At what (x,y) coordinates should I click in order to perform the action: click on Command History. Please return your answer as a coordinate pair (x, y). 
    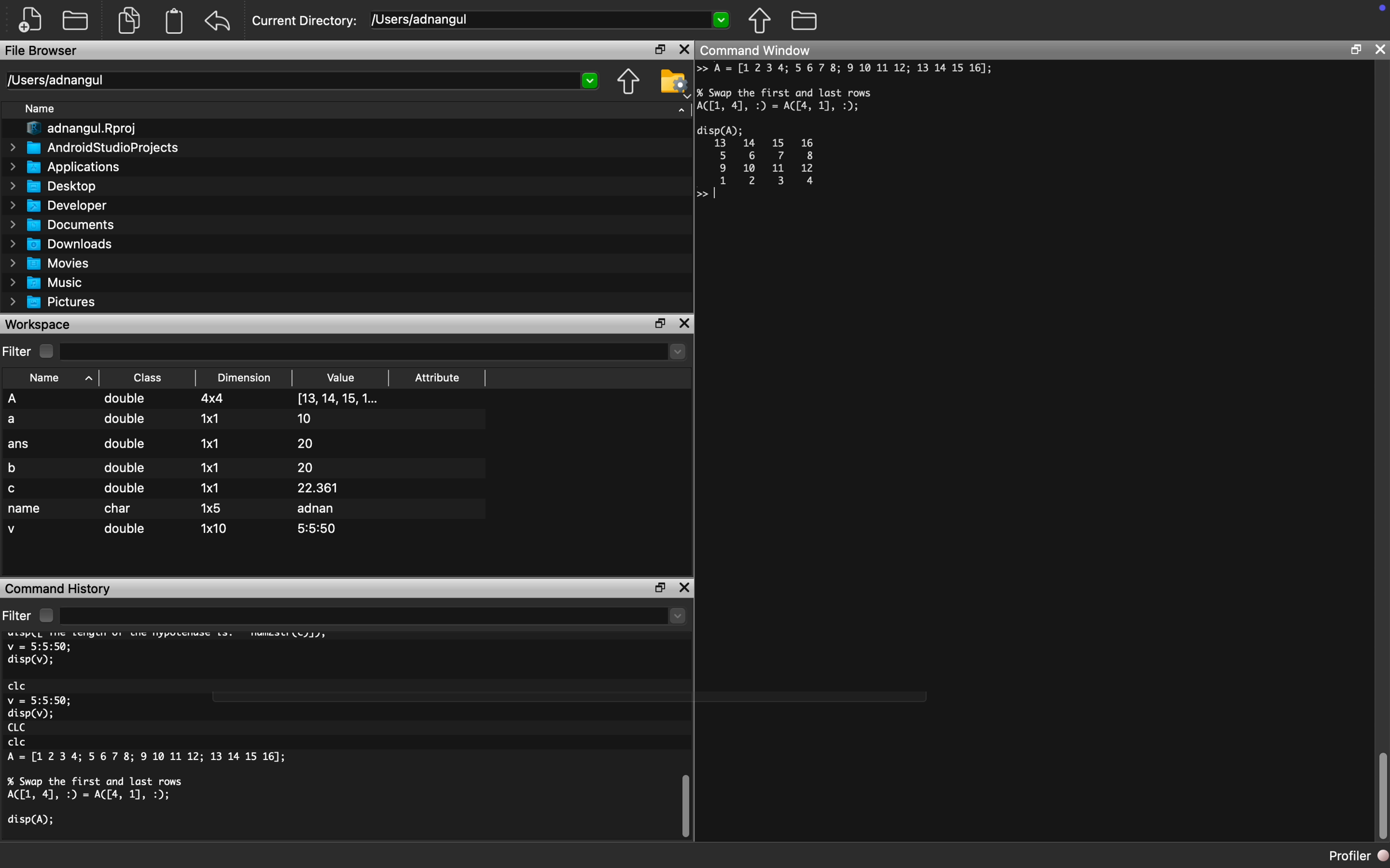
    Looking at the image, I should click on (60, 588).